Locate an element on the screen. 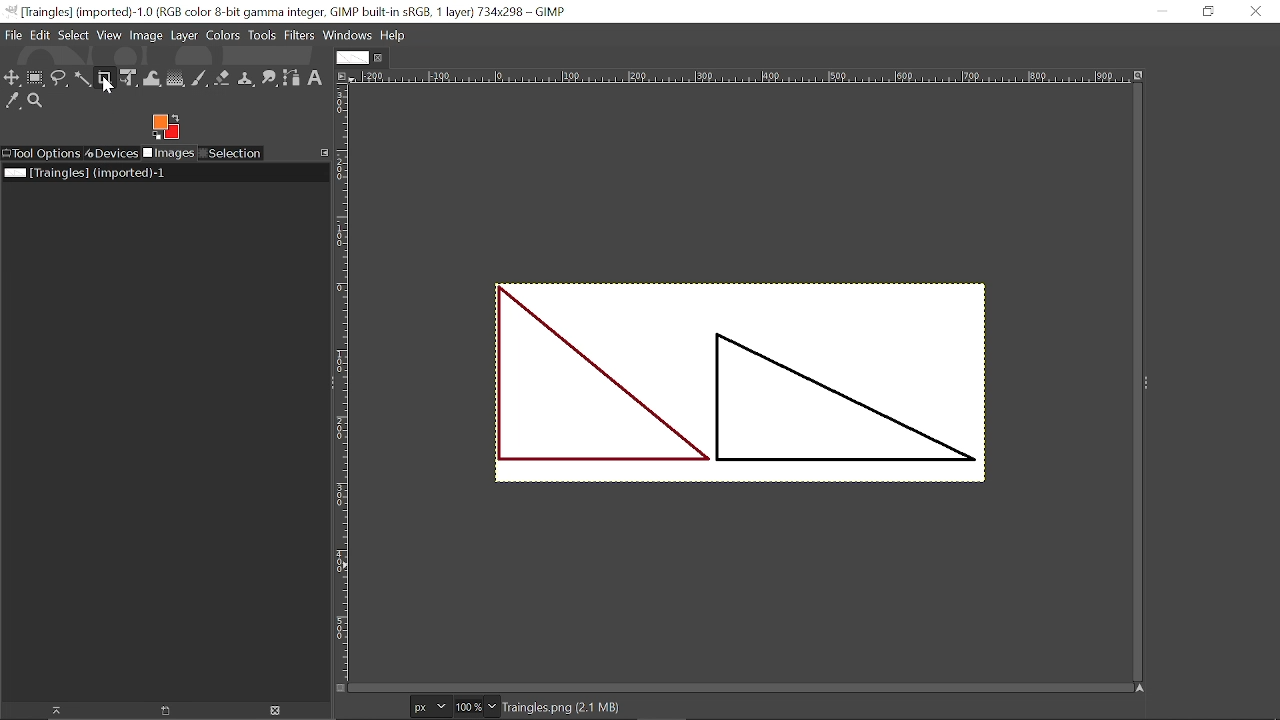  Quick view mask on/off is located at coordinates (339, 688).